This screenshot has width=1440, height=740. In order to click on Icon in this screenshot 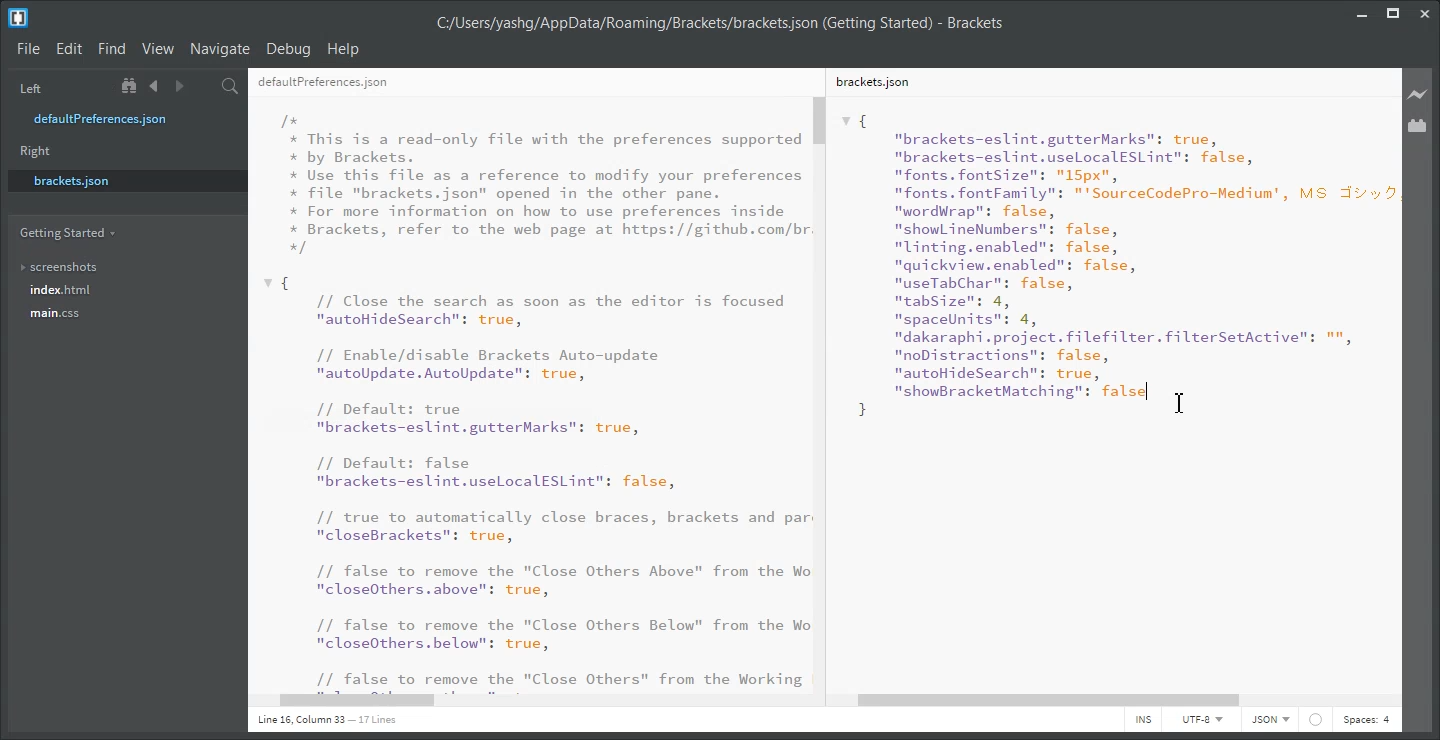, I will do `click(1316, 720)`.